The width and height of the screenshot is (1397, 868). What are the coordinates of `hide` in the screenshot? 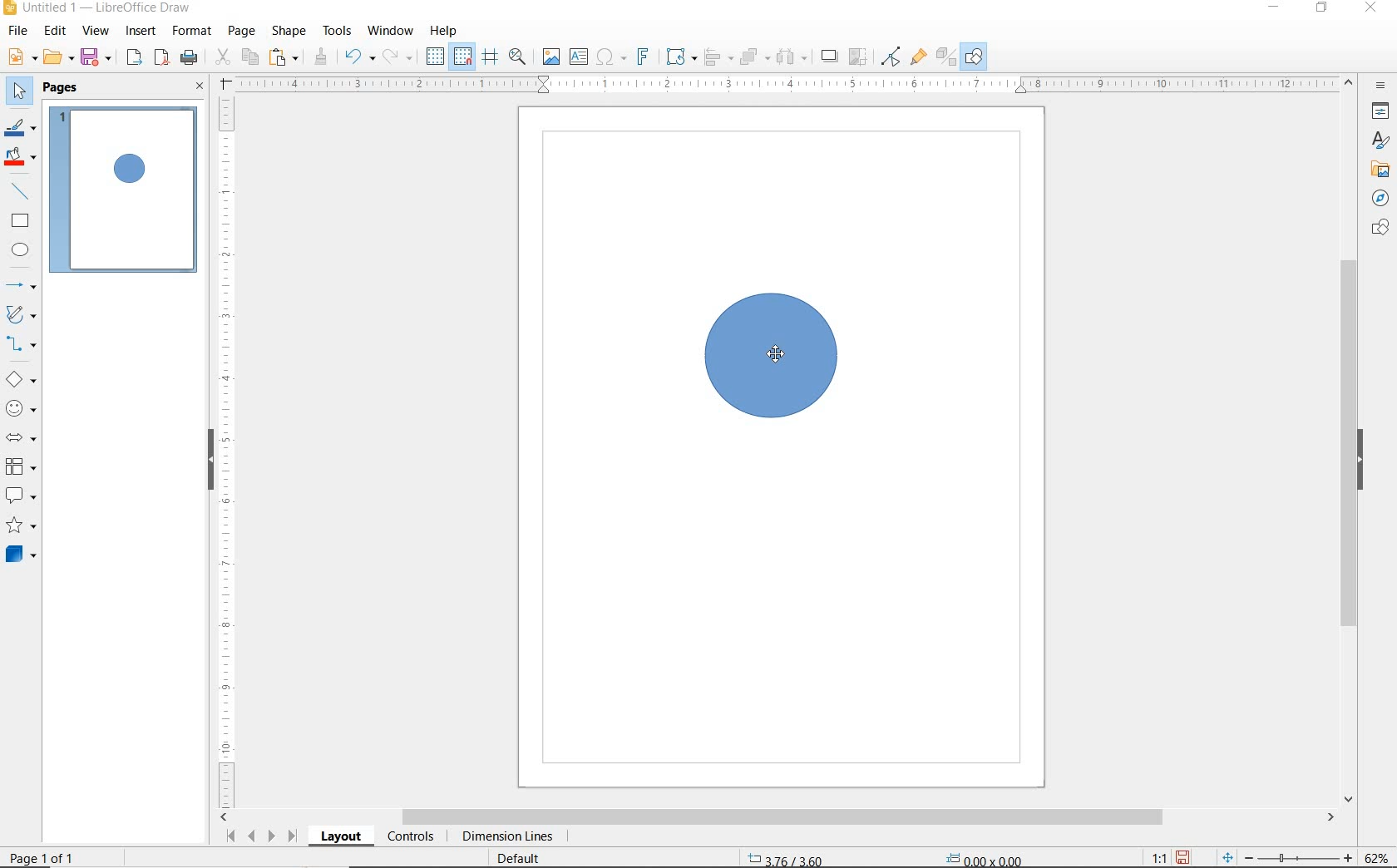 It's located at (201, 462).